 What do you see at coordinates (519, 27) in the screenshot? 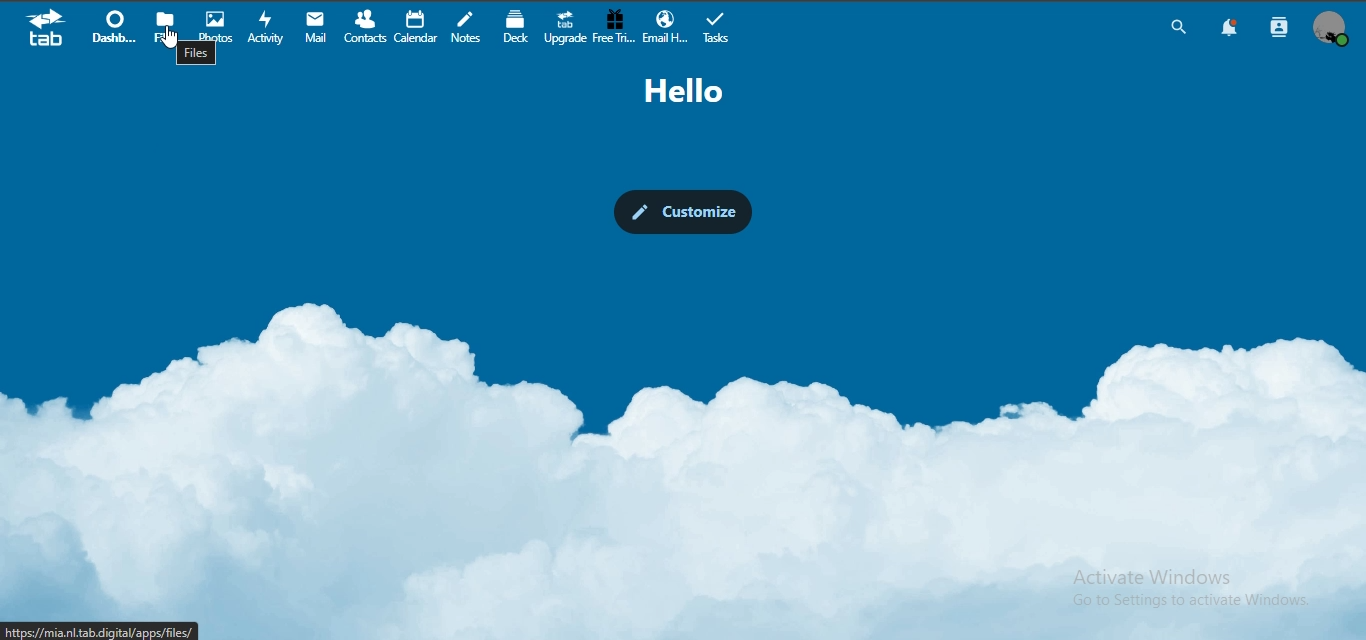
I see `deck` at bounding box center [519, 27].